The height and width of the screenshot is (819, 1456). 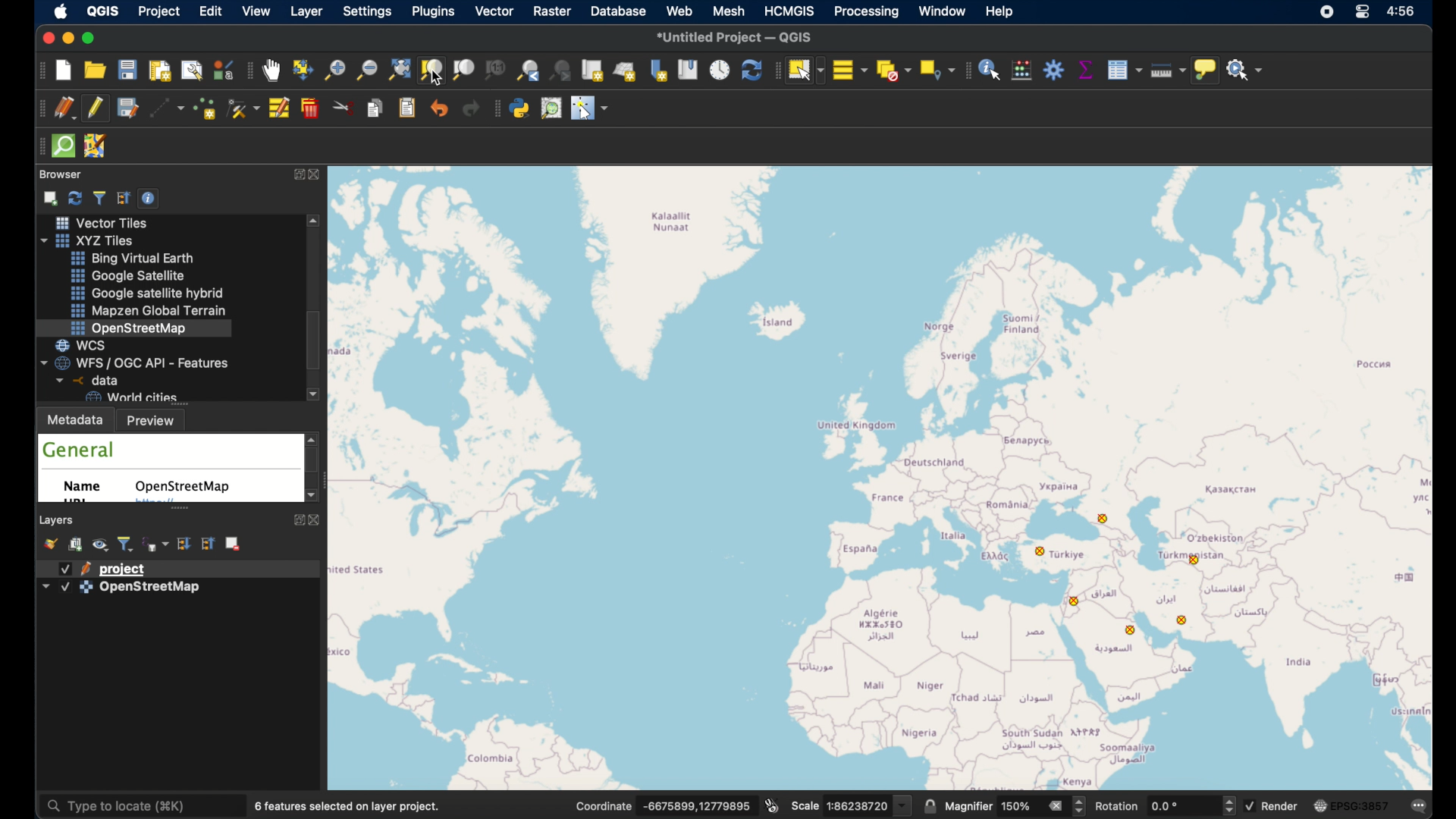 What do you see at coordinates (1125, 70) in the screenshot?
I see `show attribute table` at bounding box center [1125, 70].